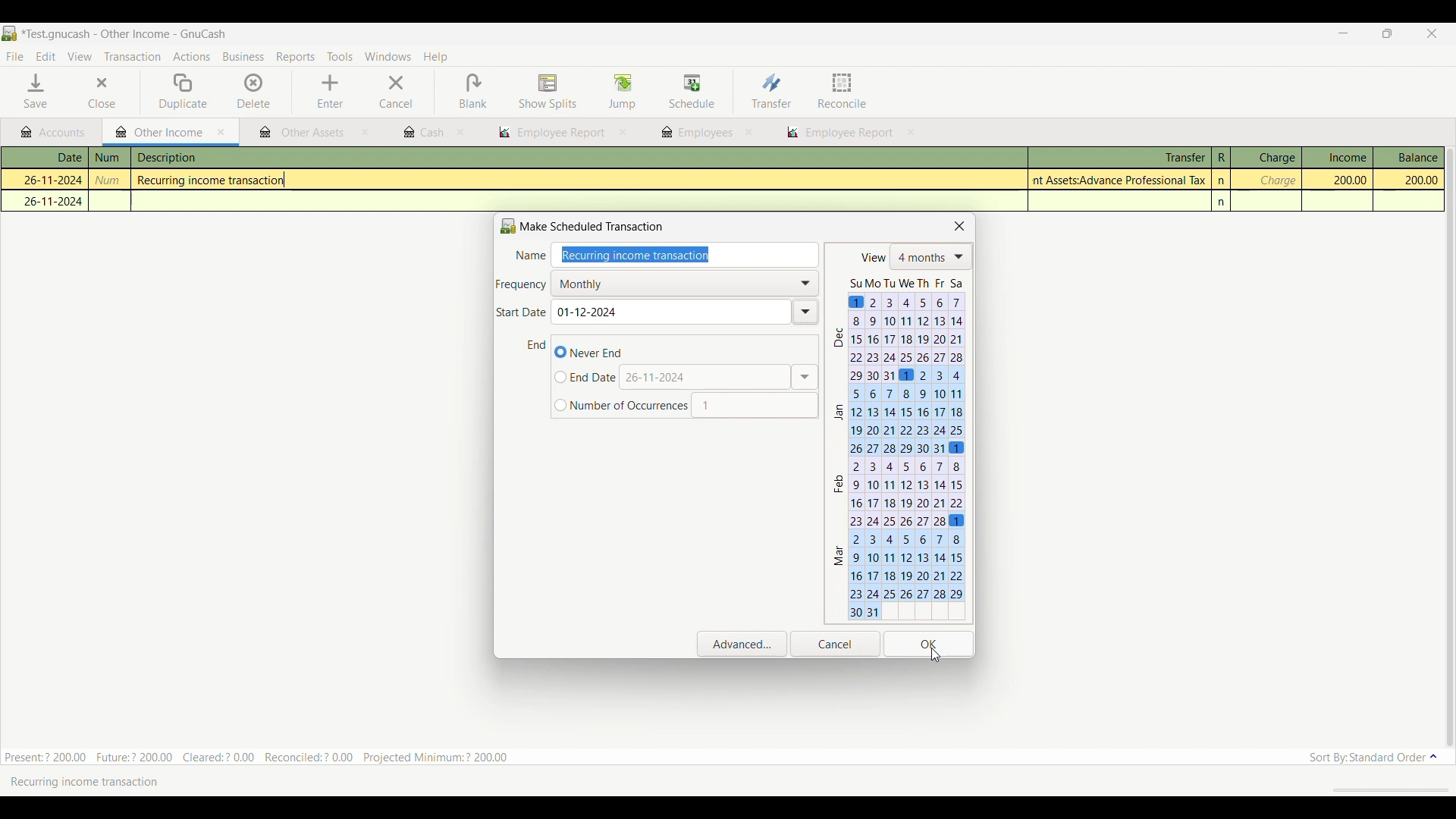 Image resolution: width=1456 pixels, height=819 pixels. I want to click on employees, so click(695, 133).